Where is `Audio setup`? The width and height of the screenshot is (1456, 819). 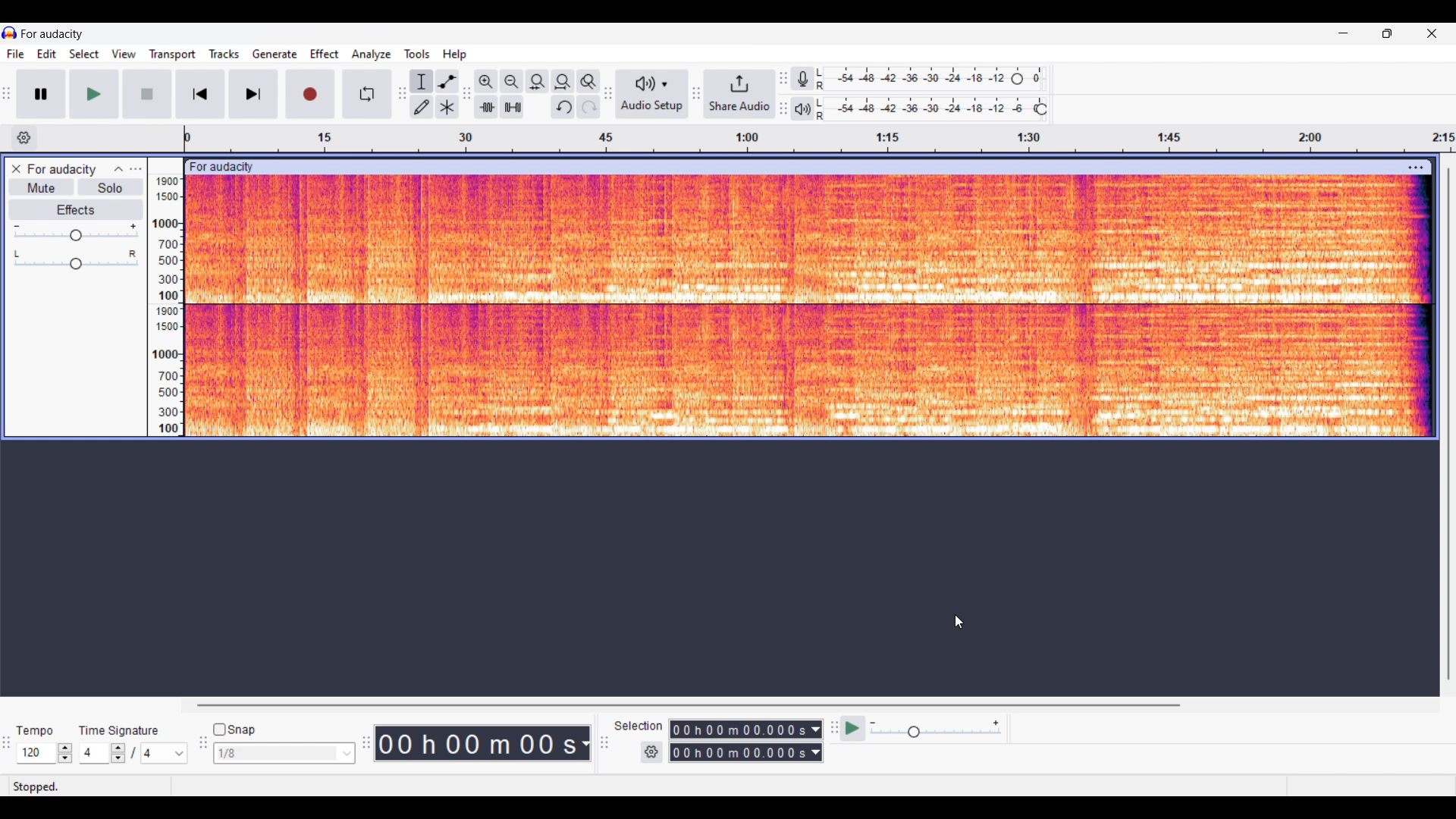 Audio setup is located at coordinates (652, 93).